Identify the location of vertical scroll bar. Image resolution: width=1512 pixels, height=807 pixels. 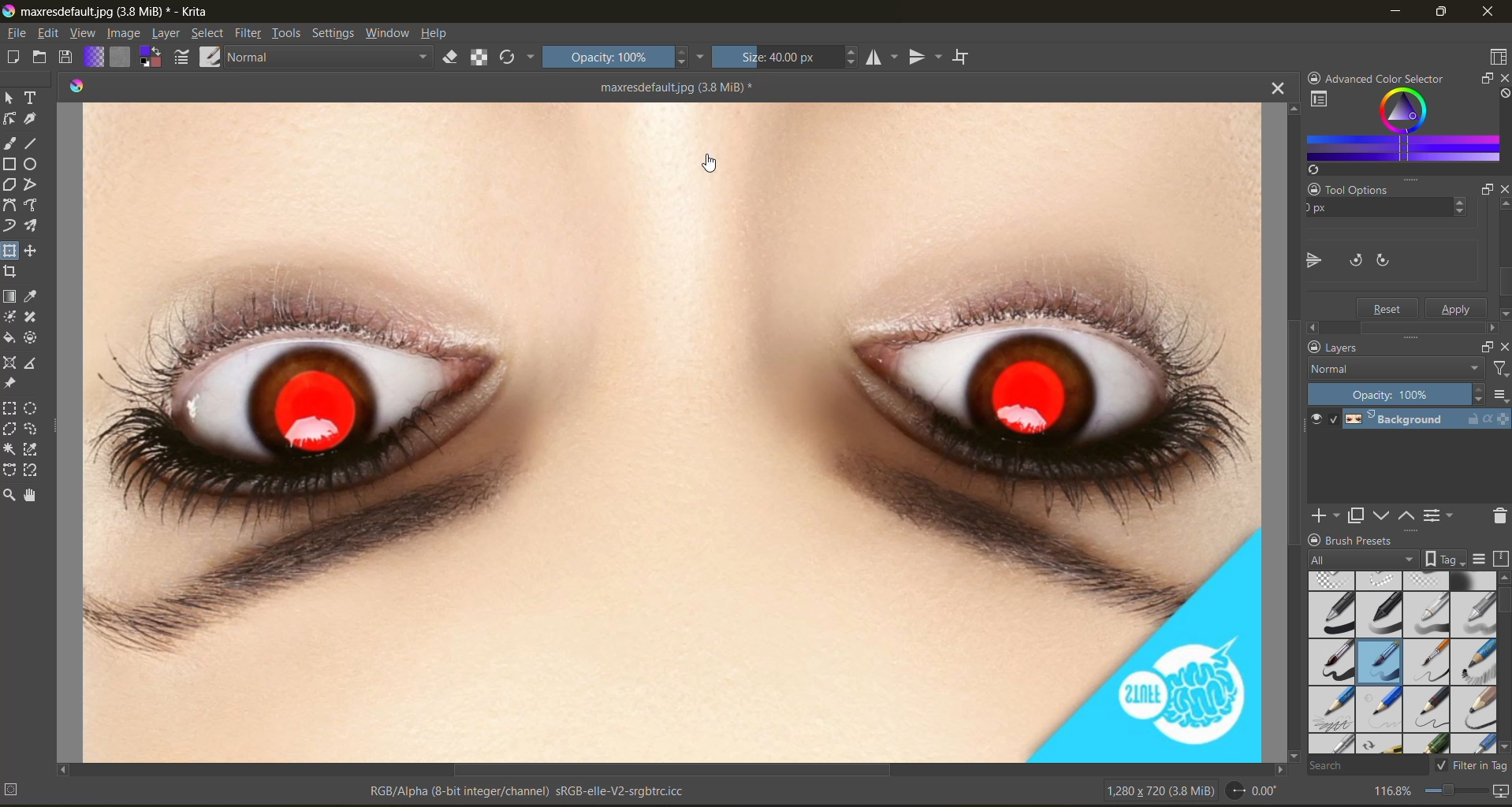
(1291, 431).